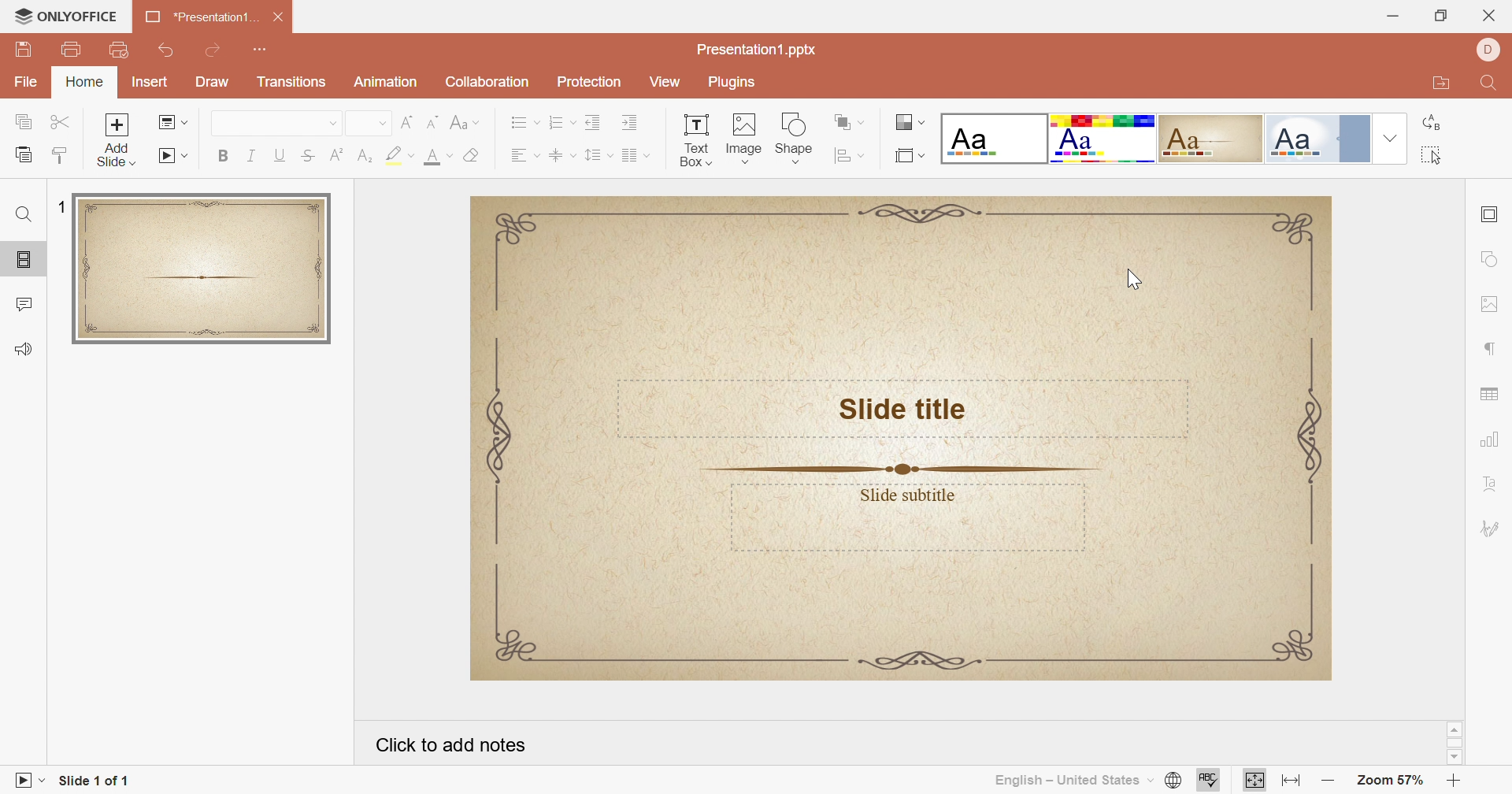 Image resolution: width=1512 pixels, height=794 pixels. Describe the element at coordinates (1492, 350) in the screenshot. I see `Paragraph settings` at that location.